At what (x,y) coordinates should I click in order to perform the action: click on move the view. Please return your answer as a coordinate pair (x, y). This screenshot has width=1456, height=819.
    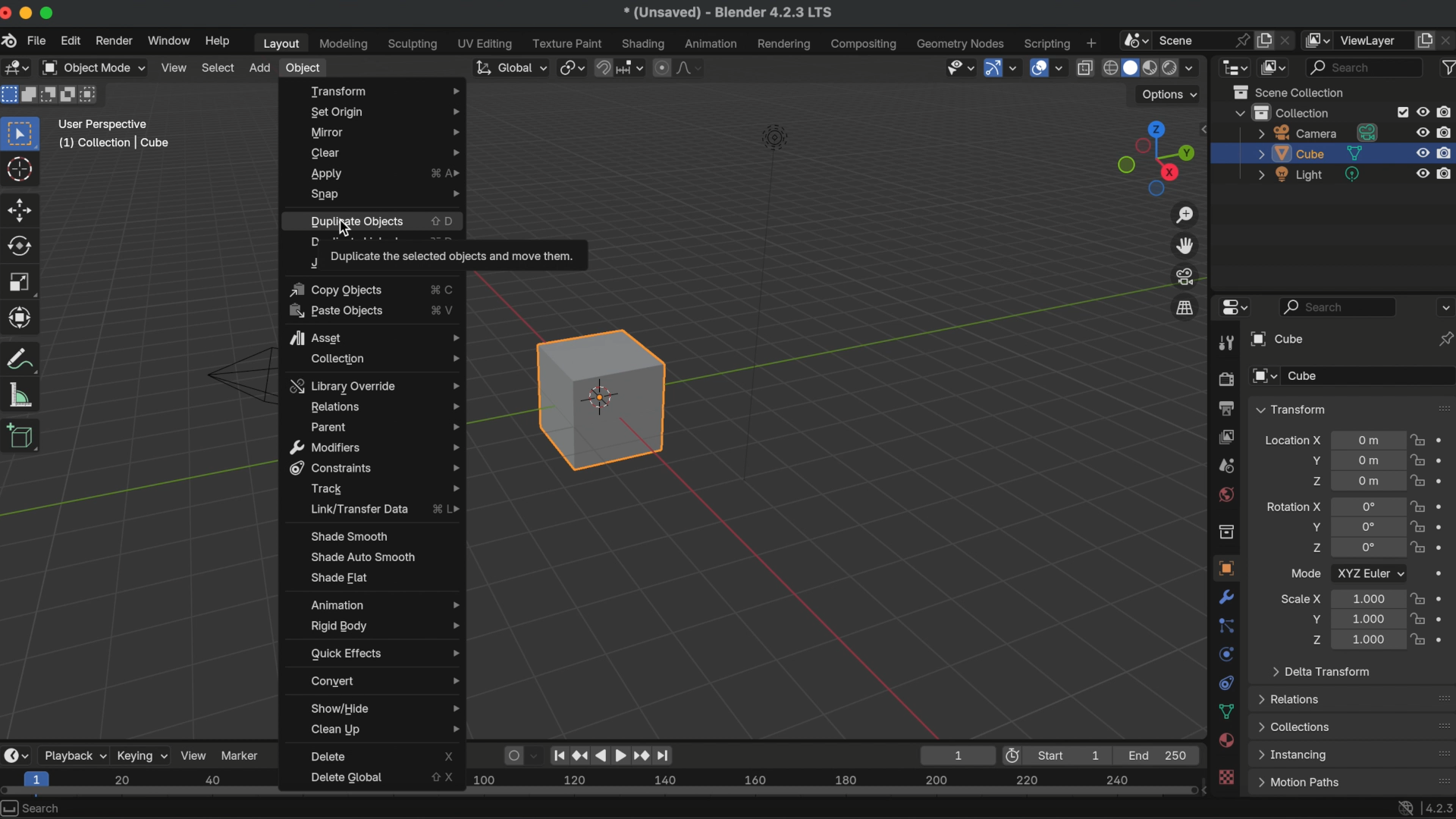
    Looking at the image, I should click on (1186, 245).